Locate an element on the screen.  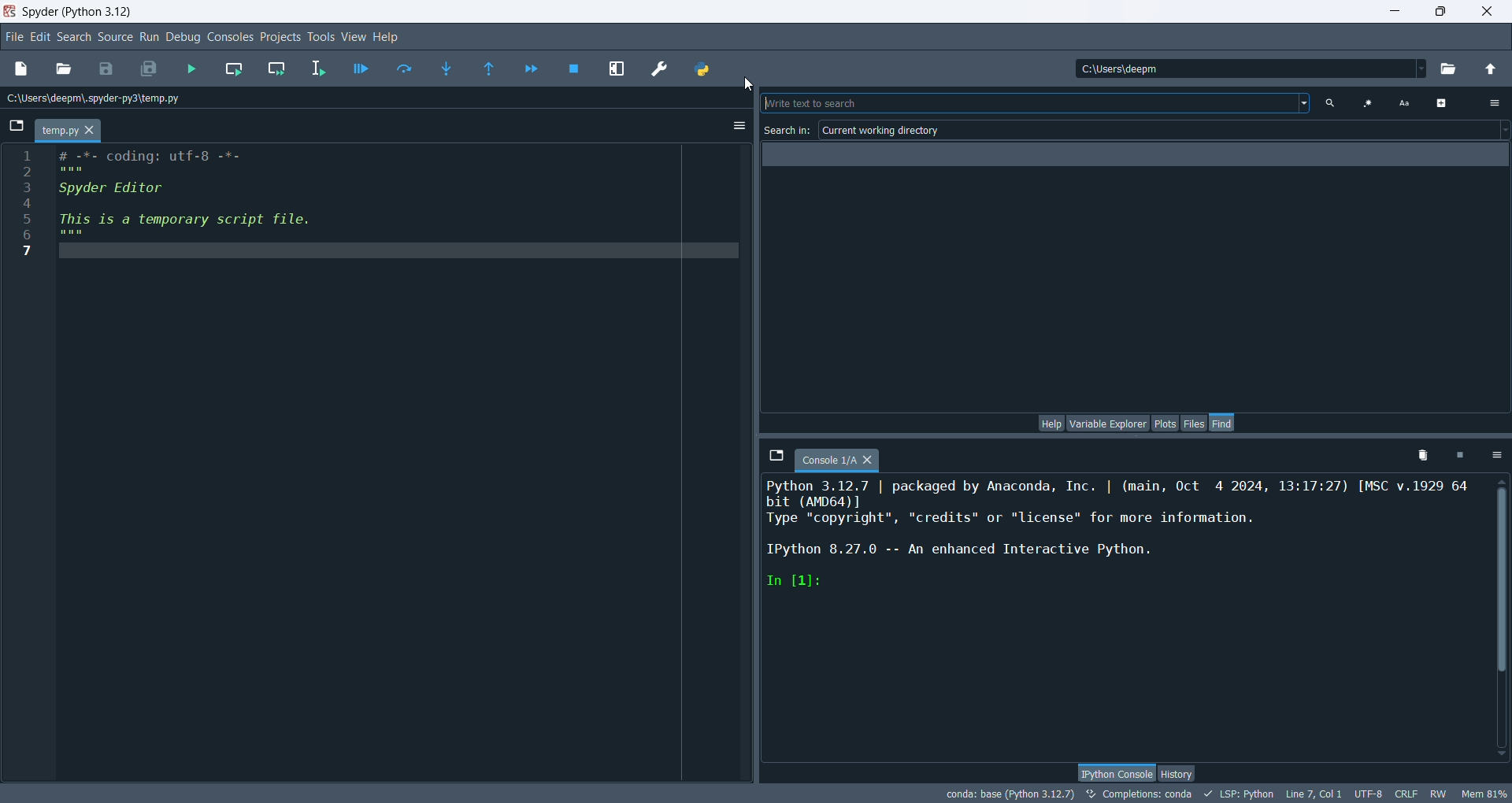
CRLF is located at coordinates (1406, 794).